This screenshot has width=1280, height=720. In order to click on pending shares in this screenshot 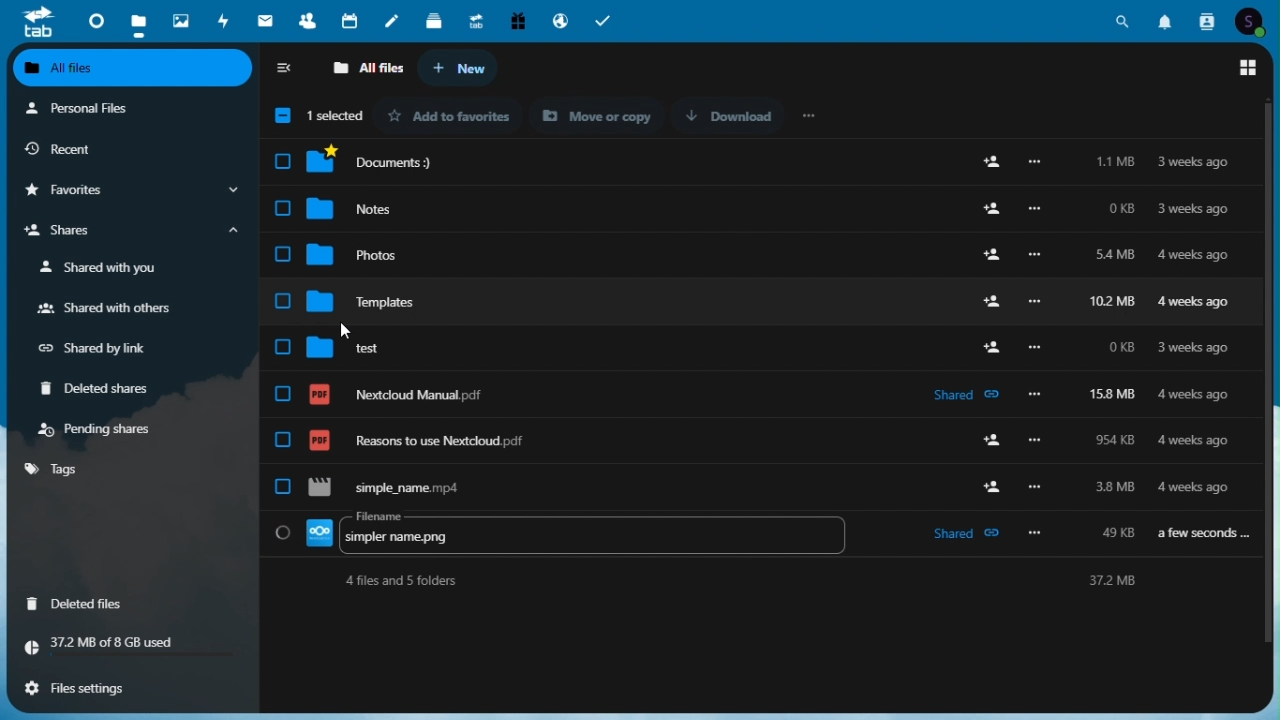, I will do `click(100, 429)`.